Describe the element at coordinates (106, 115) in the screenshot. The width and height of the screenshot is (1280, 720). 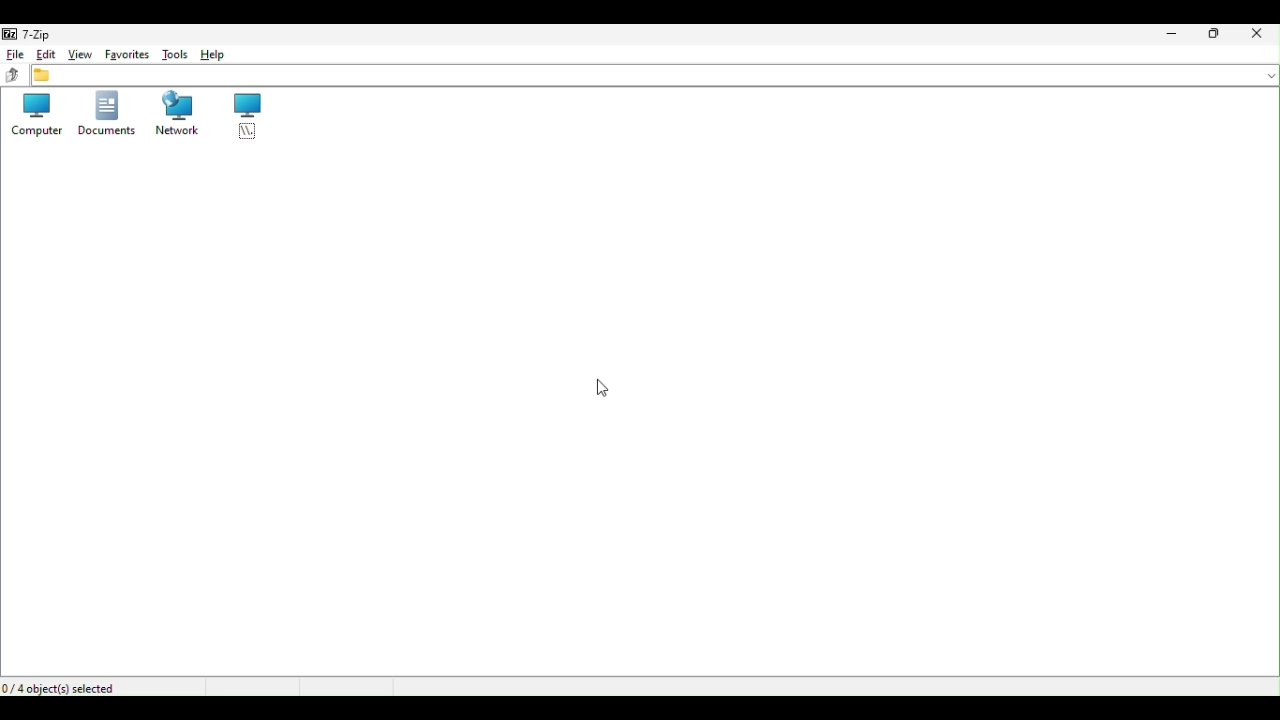
I see `Documents` at that location.